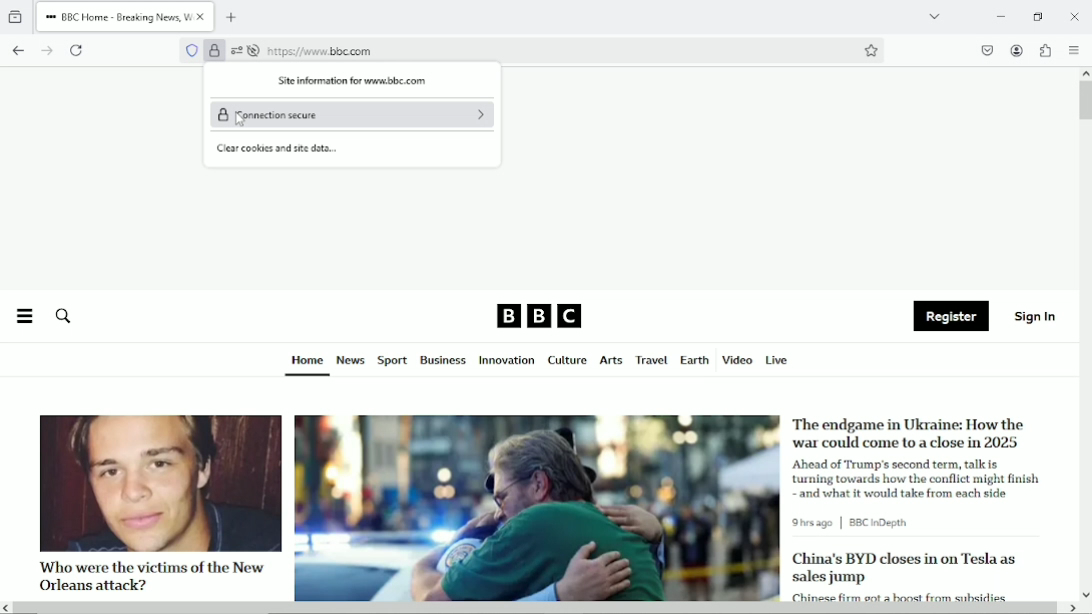 This screenshot has width=1092, height=614. What do you see at coordinates (693, 360) in the screenshot?
I see `Earth` at bounding box center [693, 360].